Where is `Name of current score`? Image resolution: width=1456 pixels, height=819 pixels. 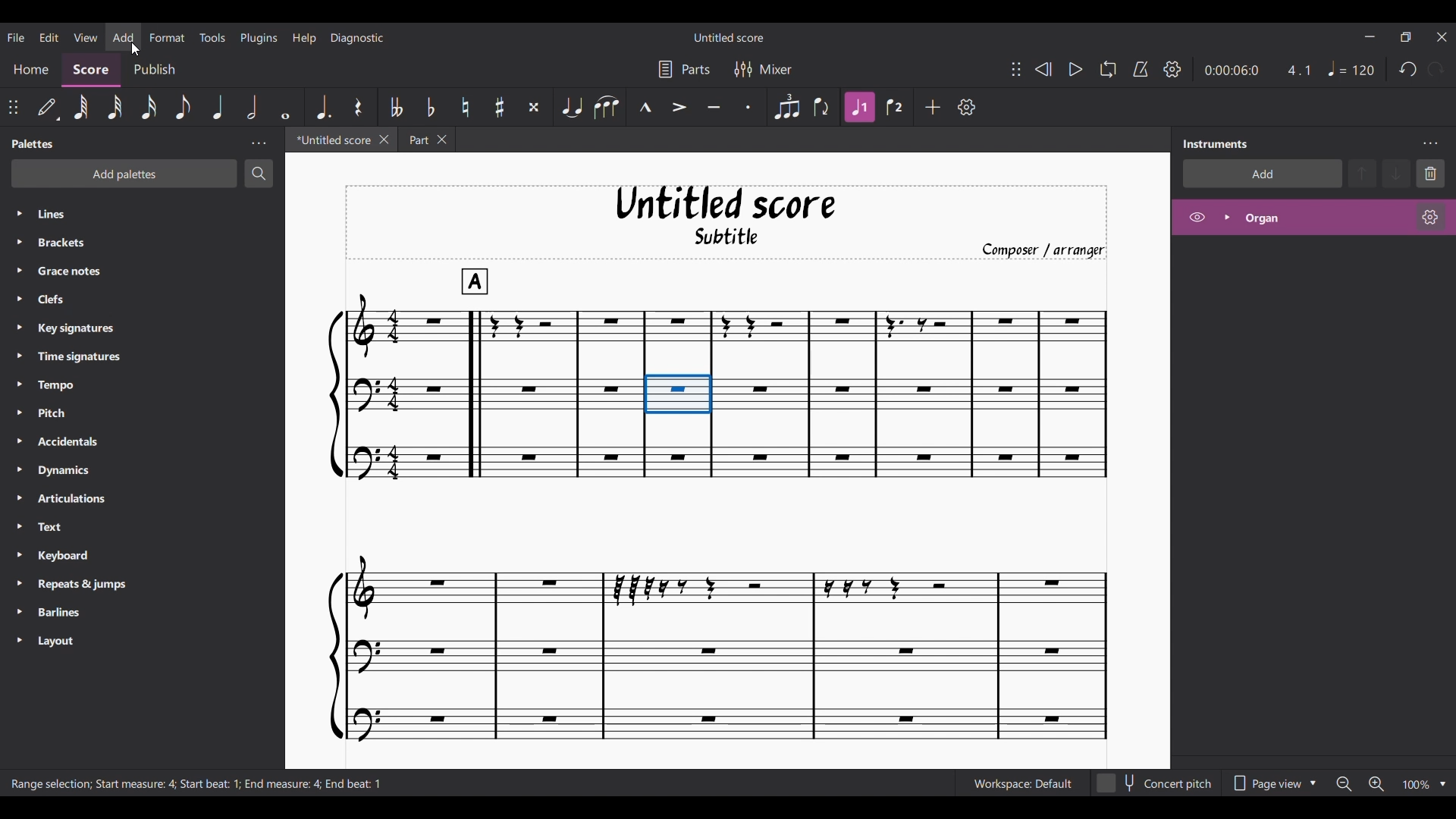 Name of current score is located at coordinates (730, 37).